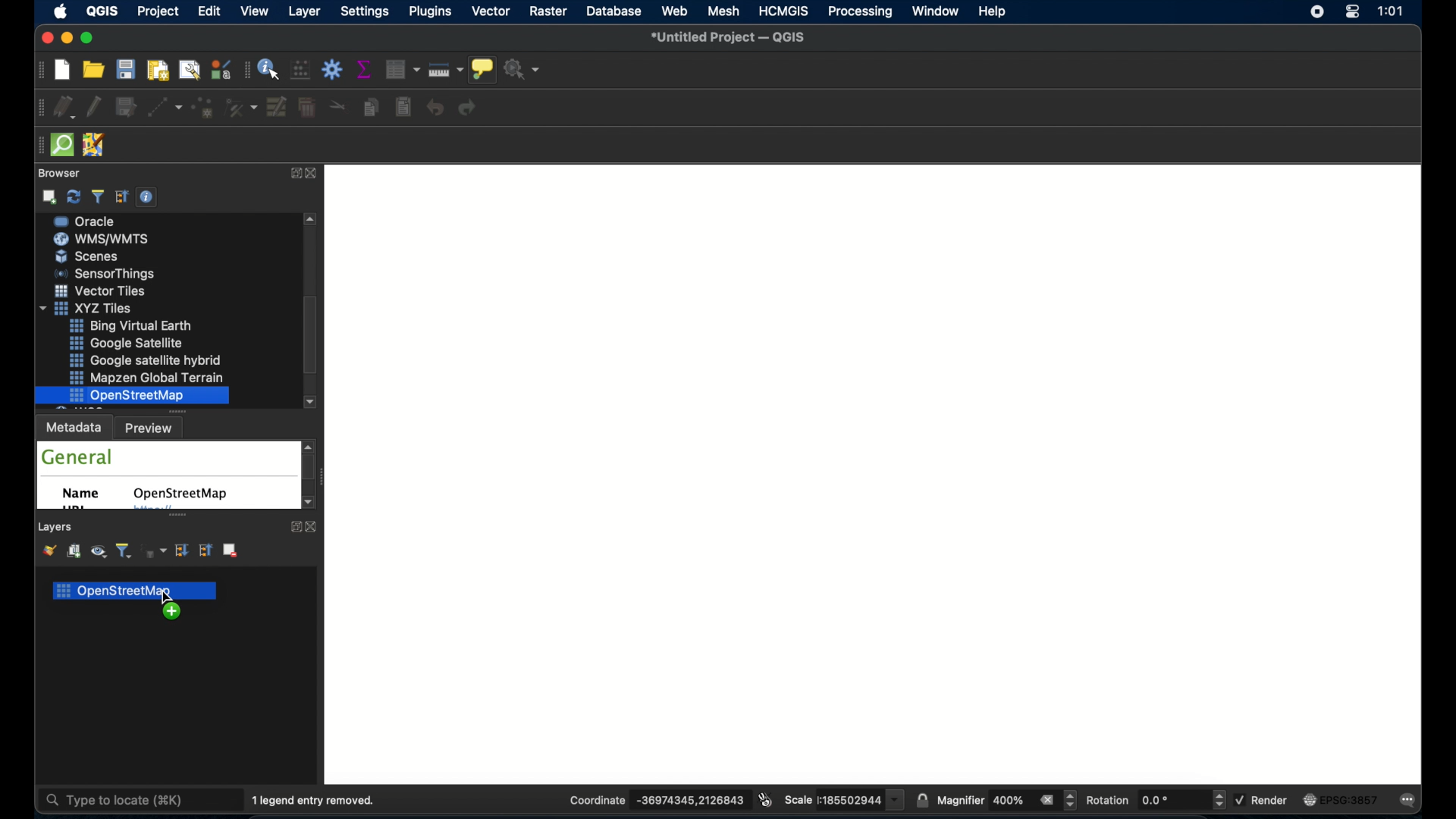 This screenshot has height=819, width=1456. Describe the element at coordinates (127, 108) in the screenshot. I see `save layer edits` at that location.